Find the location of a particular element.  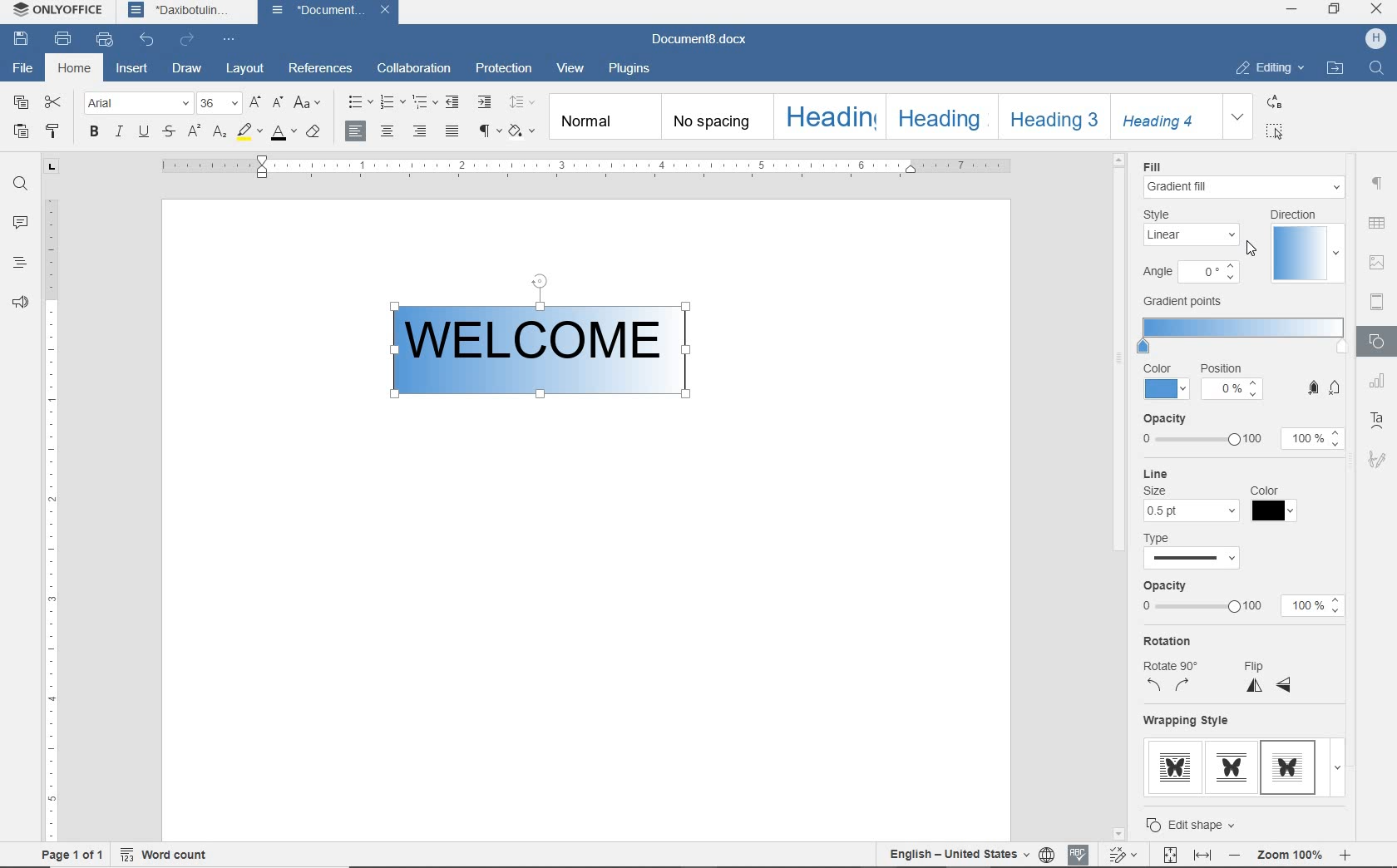

INSERT is located at coordinates (132, 70).